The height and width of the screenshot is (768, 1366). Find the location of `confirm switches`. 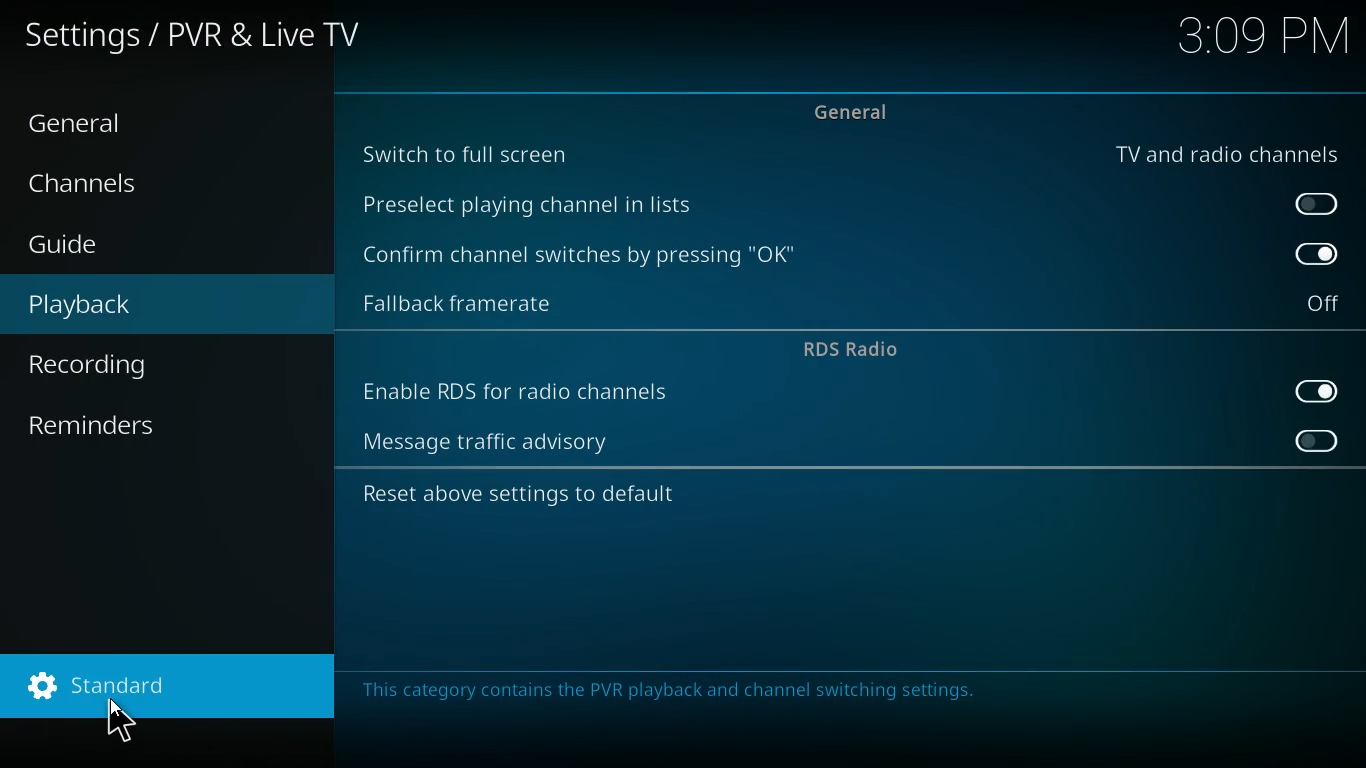

confirm switches is located at coordinates (587, 256).